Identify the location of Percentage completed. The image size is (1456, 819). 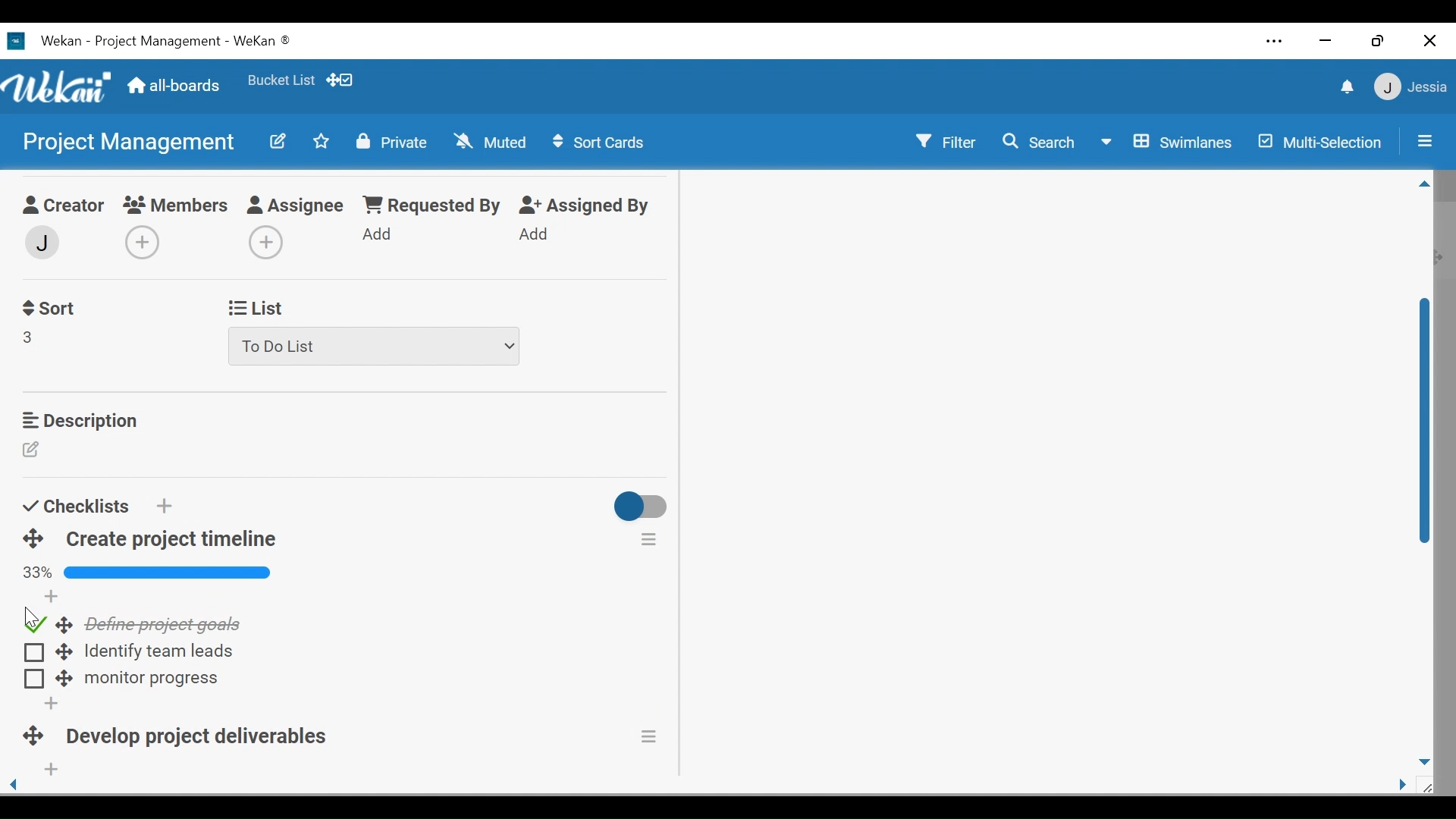
(149, 574).